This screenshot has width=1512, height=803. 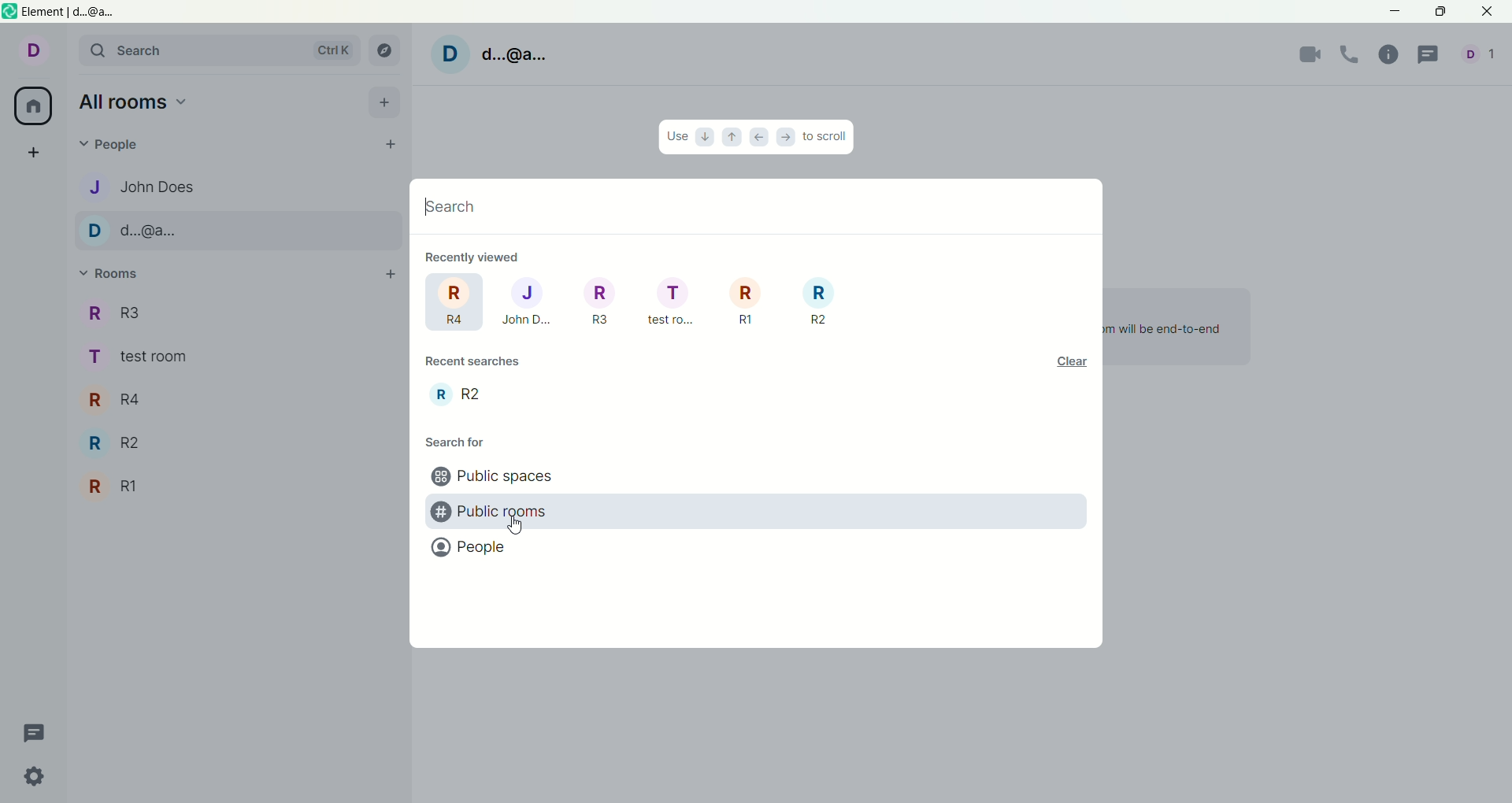 I want to click on minimize, so click(x=1392, y=12).